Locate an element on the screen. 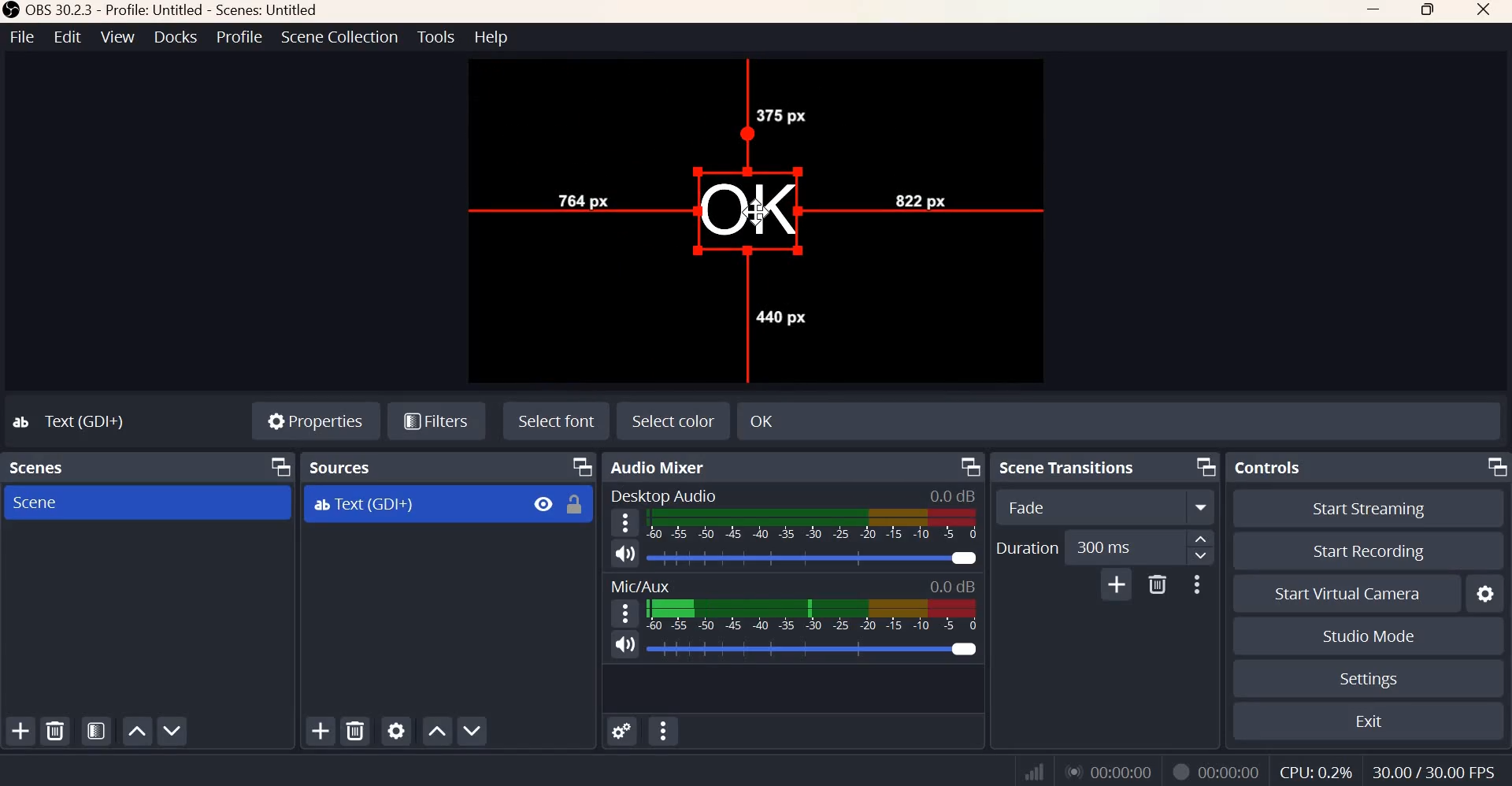  Exit is located at coordinates (1370, 720).